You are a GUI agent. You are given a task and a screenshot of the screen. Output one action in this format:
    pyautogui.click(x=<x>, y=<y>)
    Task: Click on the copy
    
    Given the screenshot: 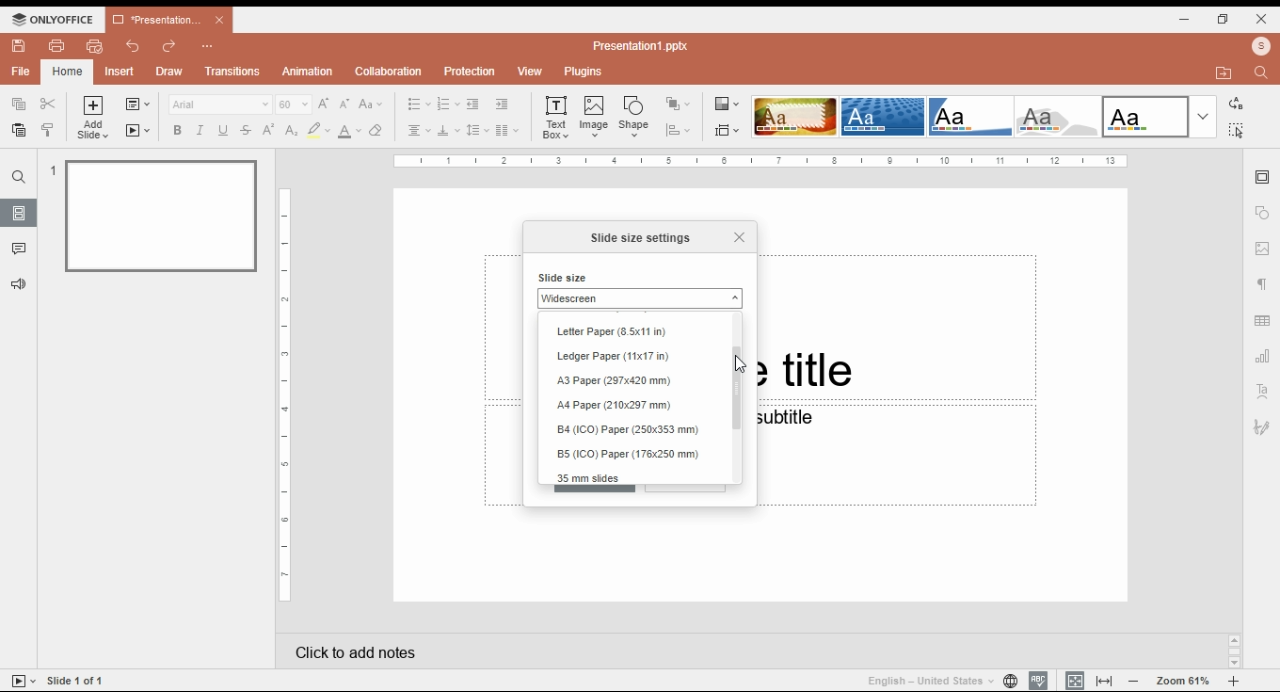 What is the action you would take?
    pyautogui.click(x=17, y=102)
    